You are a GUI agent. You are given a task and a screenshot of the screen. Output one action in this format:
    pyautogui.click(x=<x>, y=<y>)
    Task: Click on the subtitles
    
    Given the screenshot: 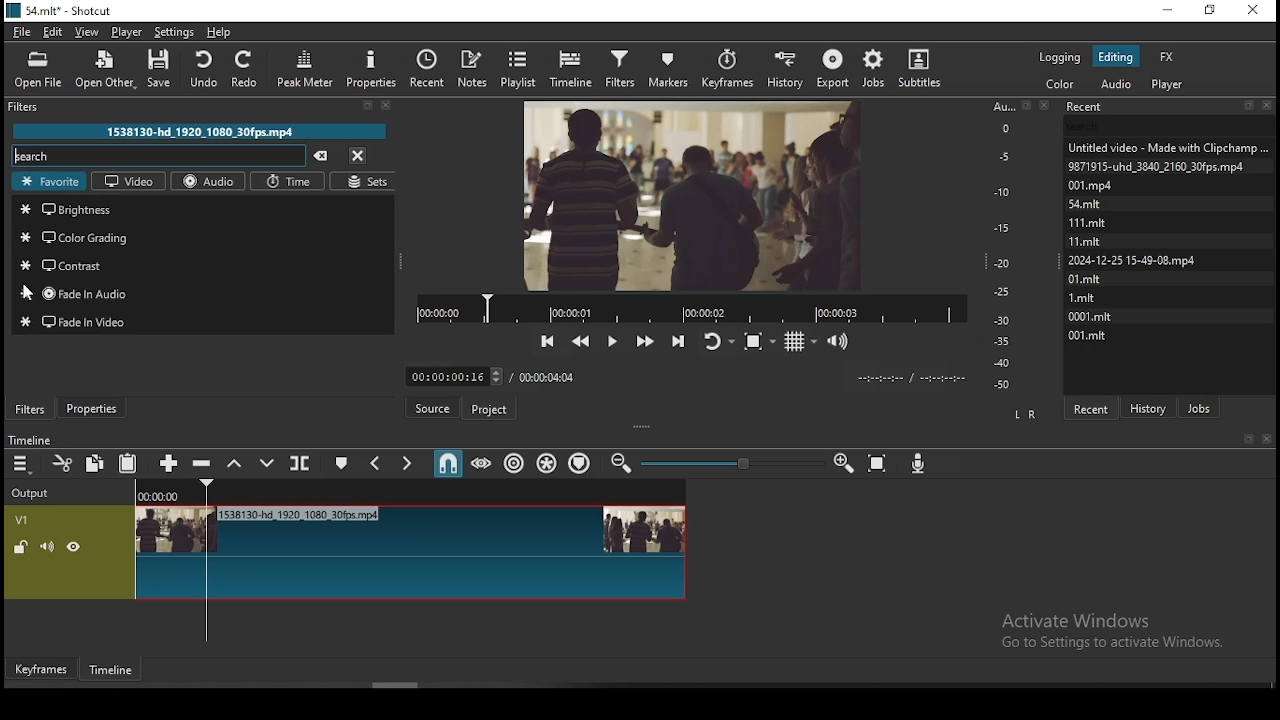 What is the action you would take?
    pyautogui.click(x=924, y=67)
    